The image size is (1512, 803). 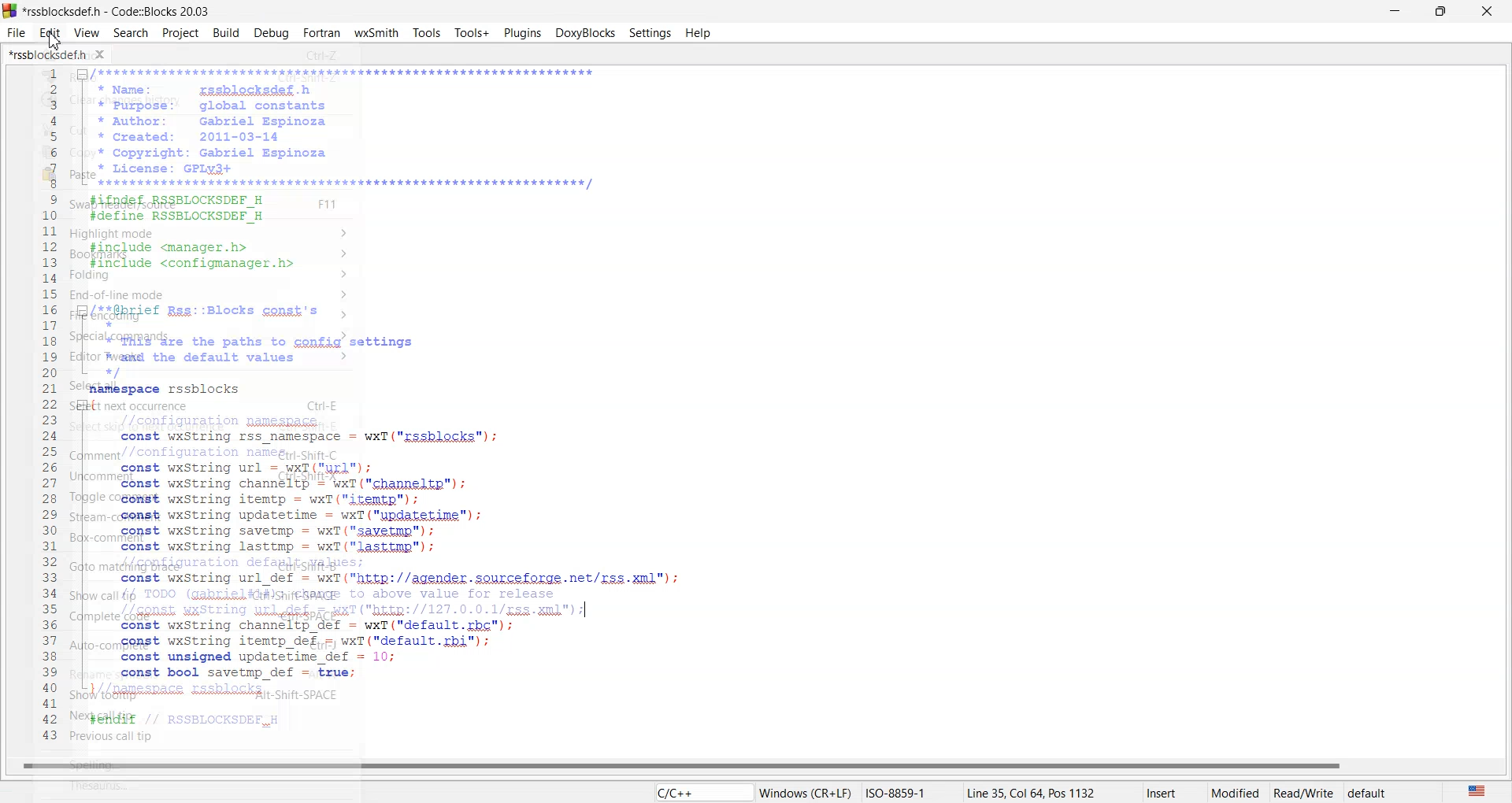 What do you see at coordinates (1304, 791) in the screenshot?
I see `Read/white` at bounding box center [1304, 791].